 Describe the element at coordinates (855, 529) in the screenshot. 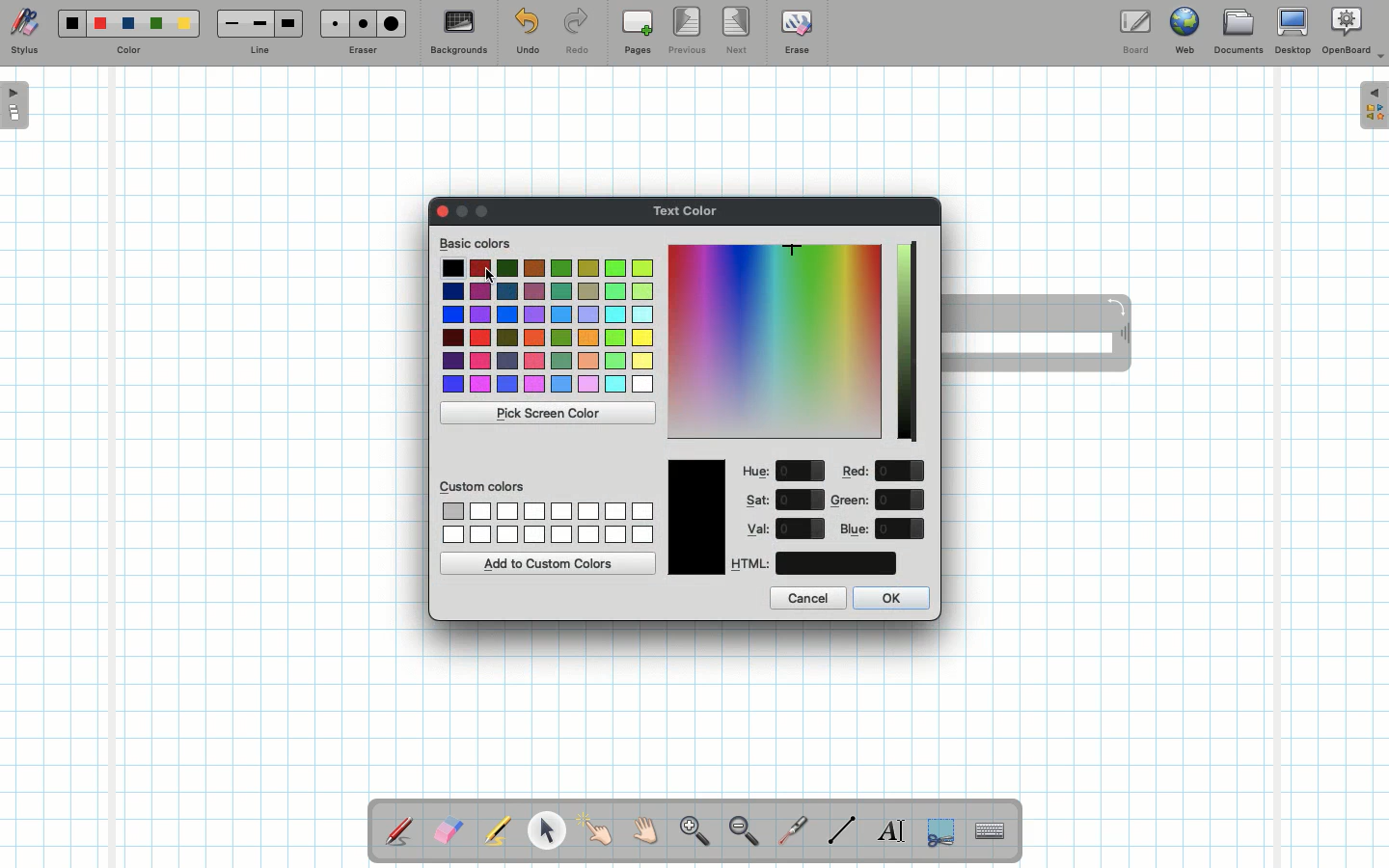

I see `Blue` at that location.